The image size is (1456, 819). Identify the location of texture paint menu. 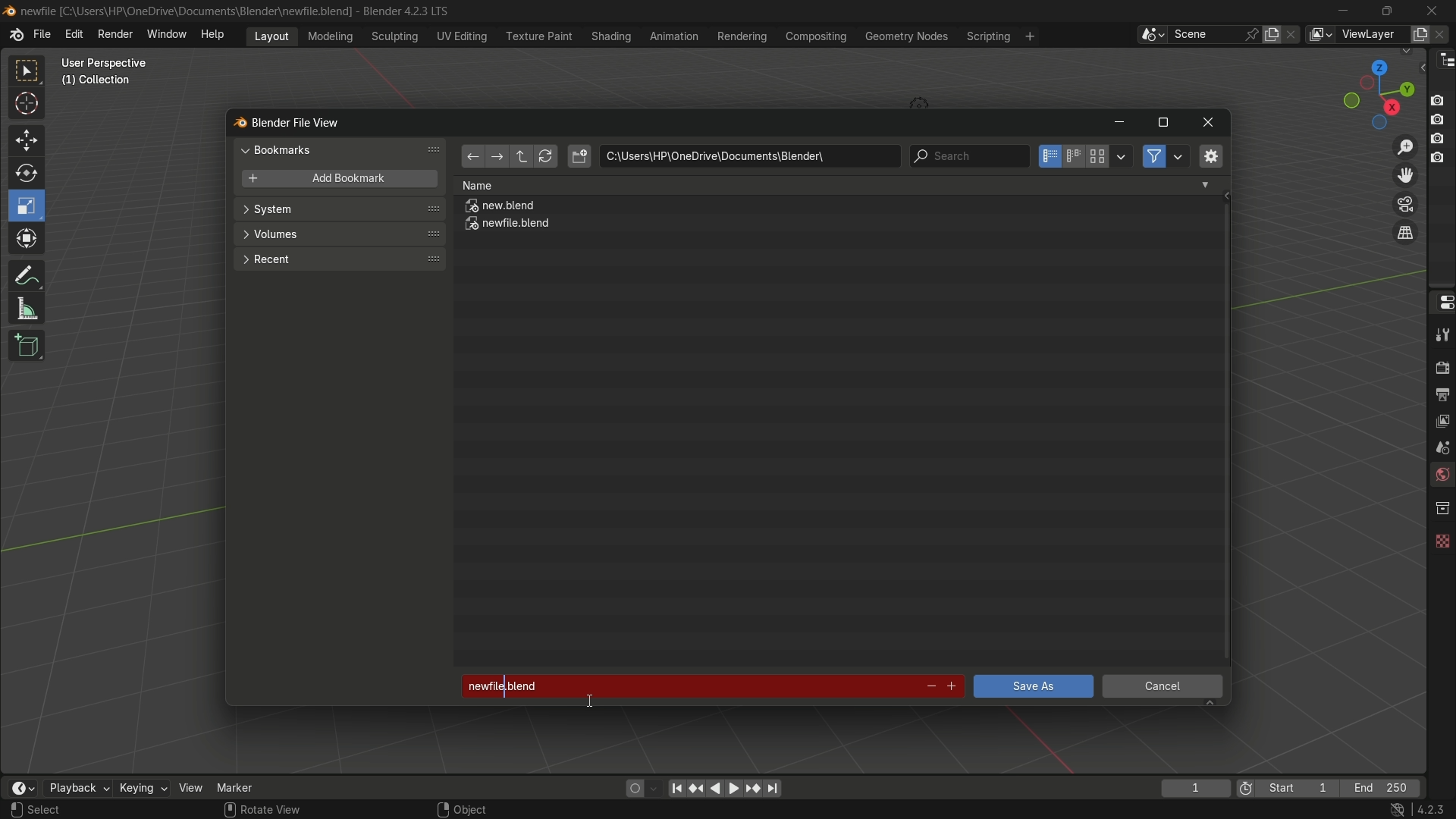
(538, 35).